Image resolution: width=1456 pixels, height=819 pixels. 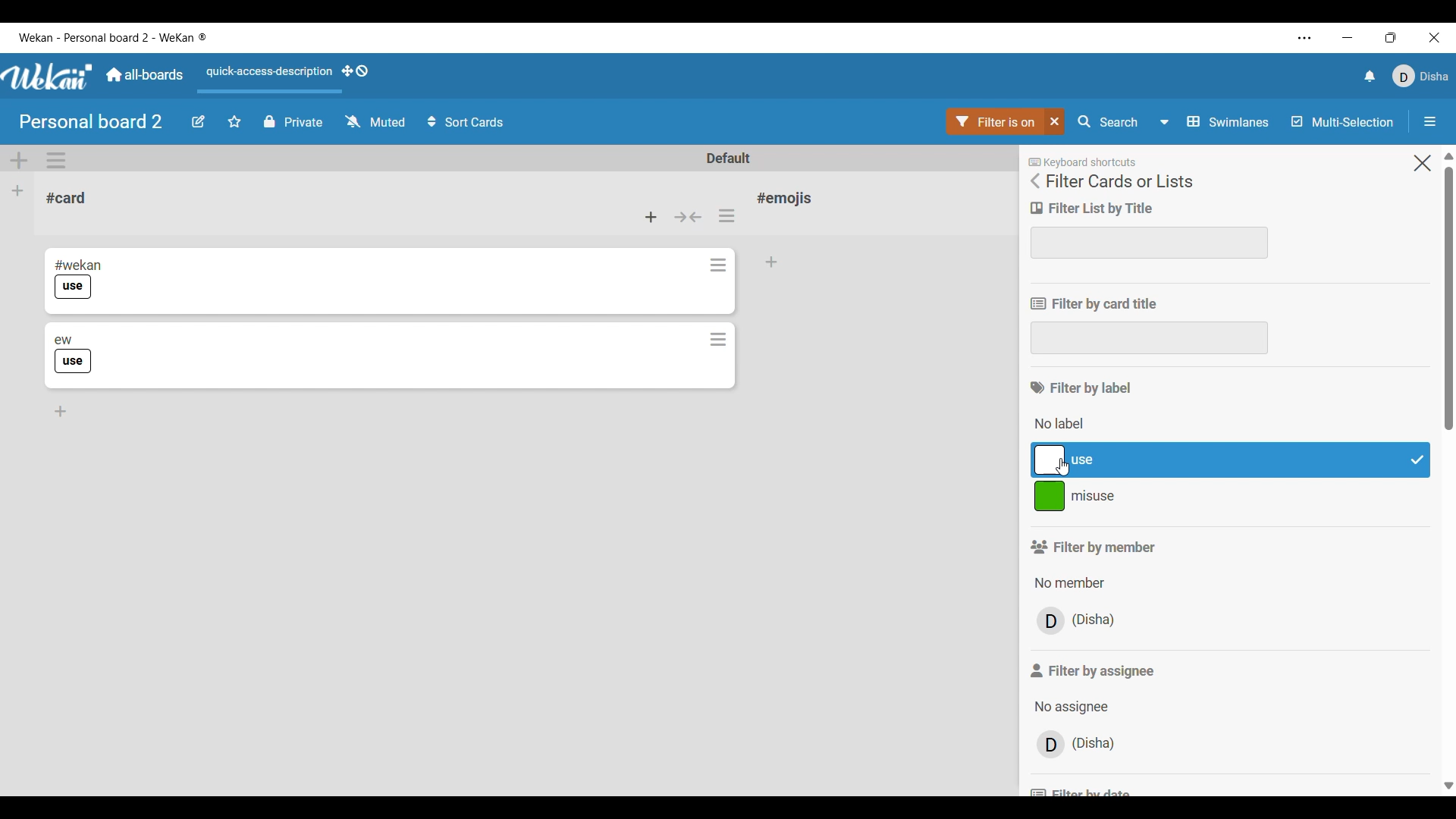 I want to click on Toggle for multi-selection, so click(x=1343, y=121).